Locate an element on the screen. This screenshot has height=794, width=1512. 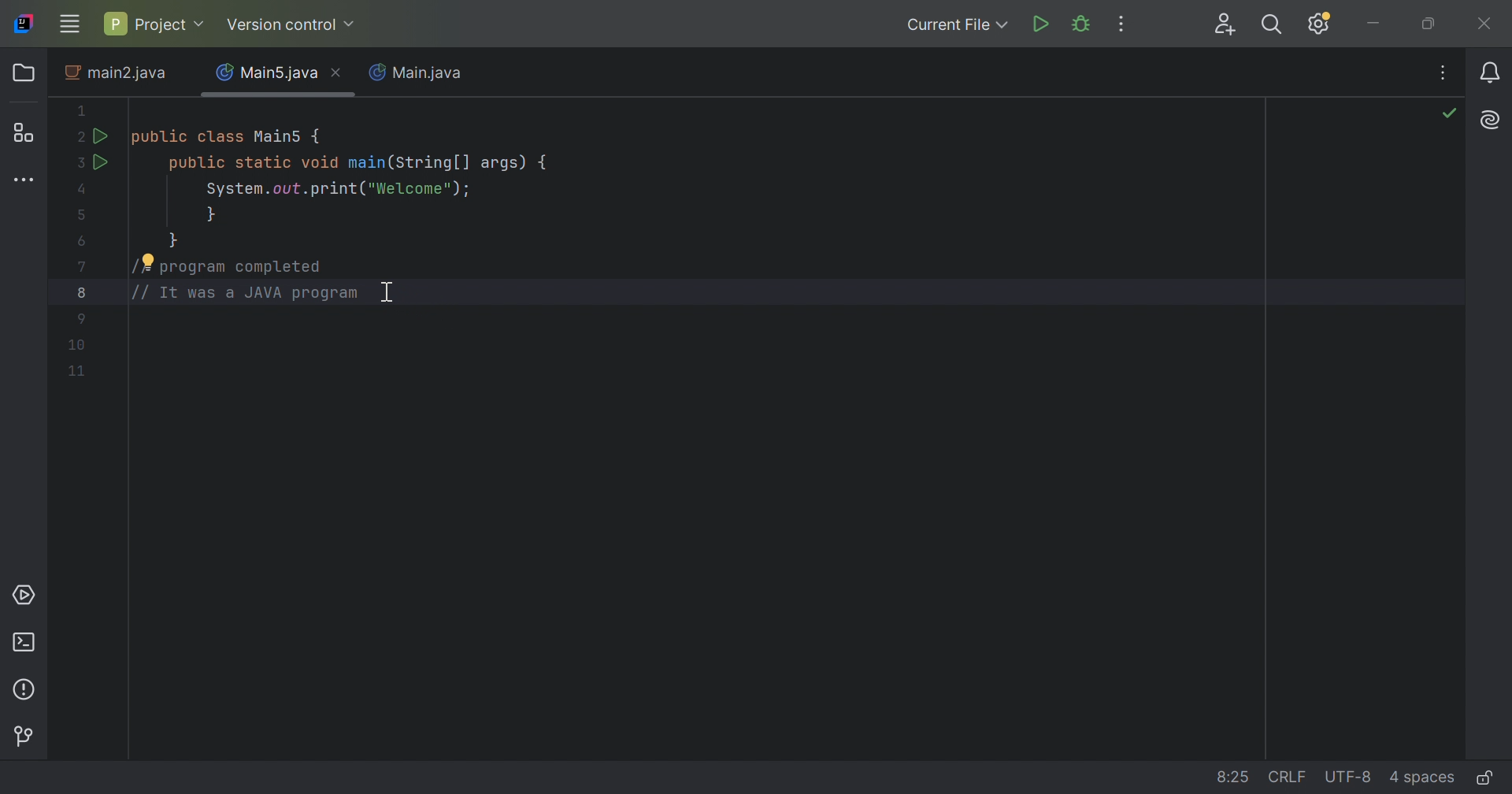
Structure is located at coordinates (28, 132).